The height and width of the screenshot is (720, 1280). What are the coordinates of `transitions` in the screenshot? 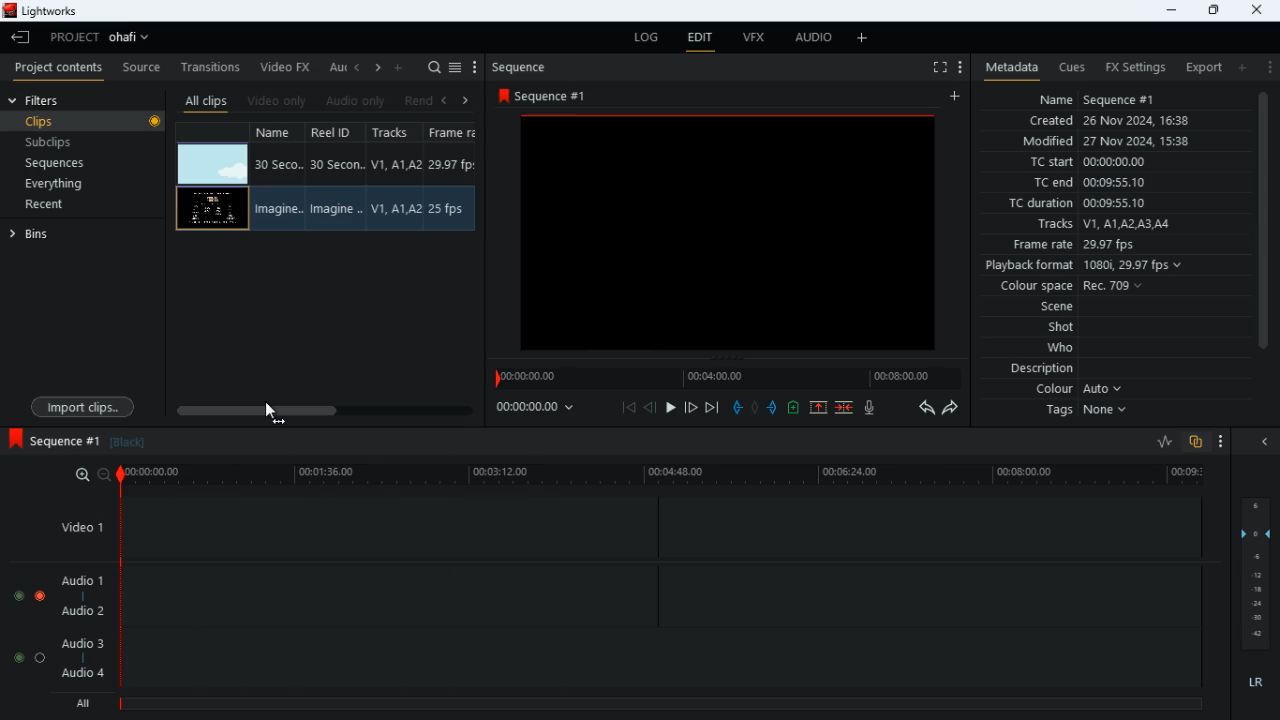 It's located at (210, 66).